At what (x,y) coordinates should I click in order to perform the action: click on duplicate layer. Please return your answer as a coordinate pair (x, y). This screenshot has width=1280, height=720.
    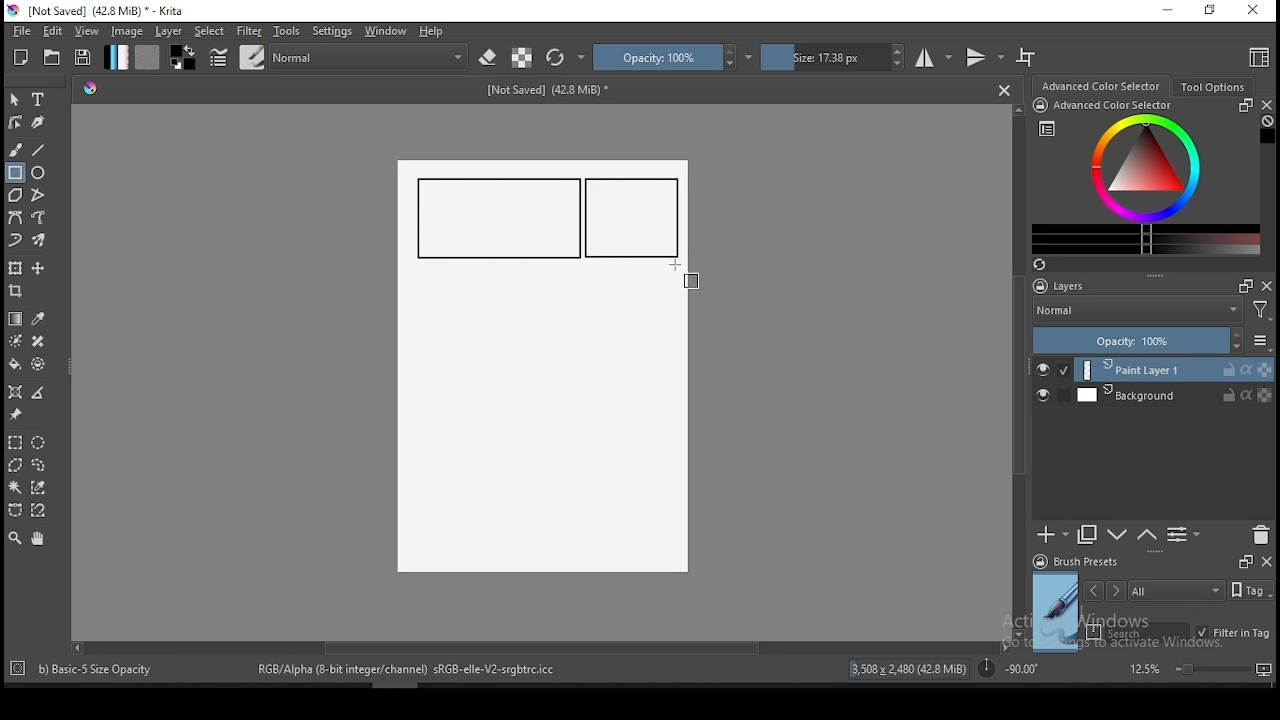
    Looking at the image, I should click on (1088, 534).